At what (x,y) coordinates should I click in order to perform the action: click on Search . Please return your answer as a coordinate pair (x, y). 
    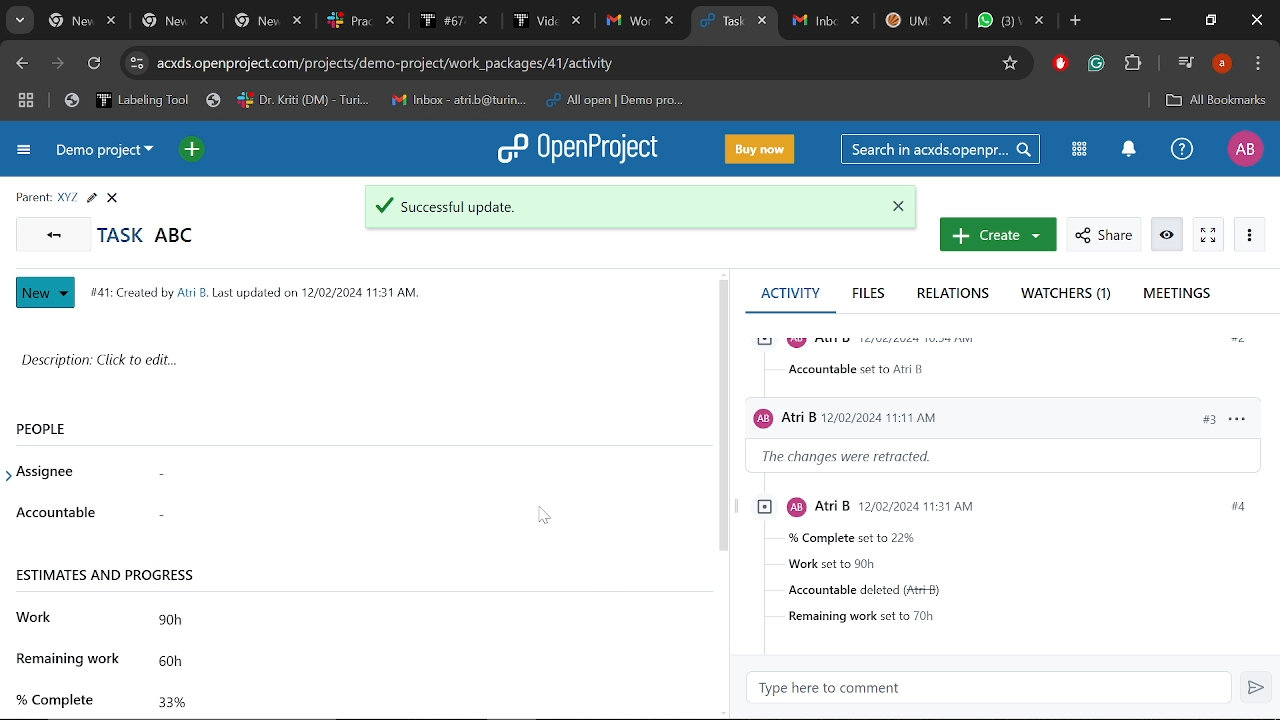
    Looking at the image, I should click on (943, 149).